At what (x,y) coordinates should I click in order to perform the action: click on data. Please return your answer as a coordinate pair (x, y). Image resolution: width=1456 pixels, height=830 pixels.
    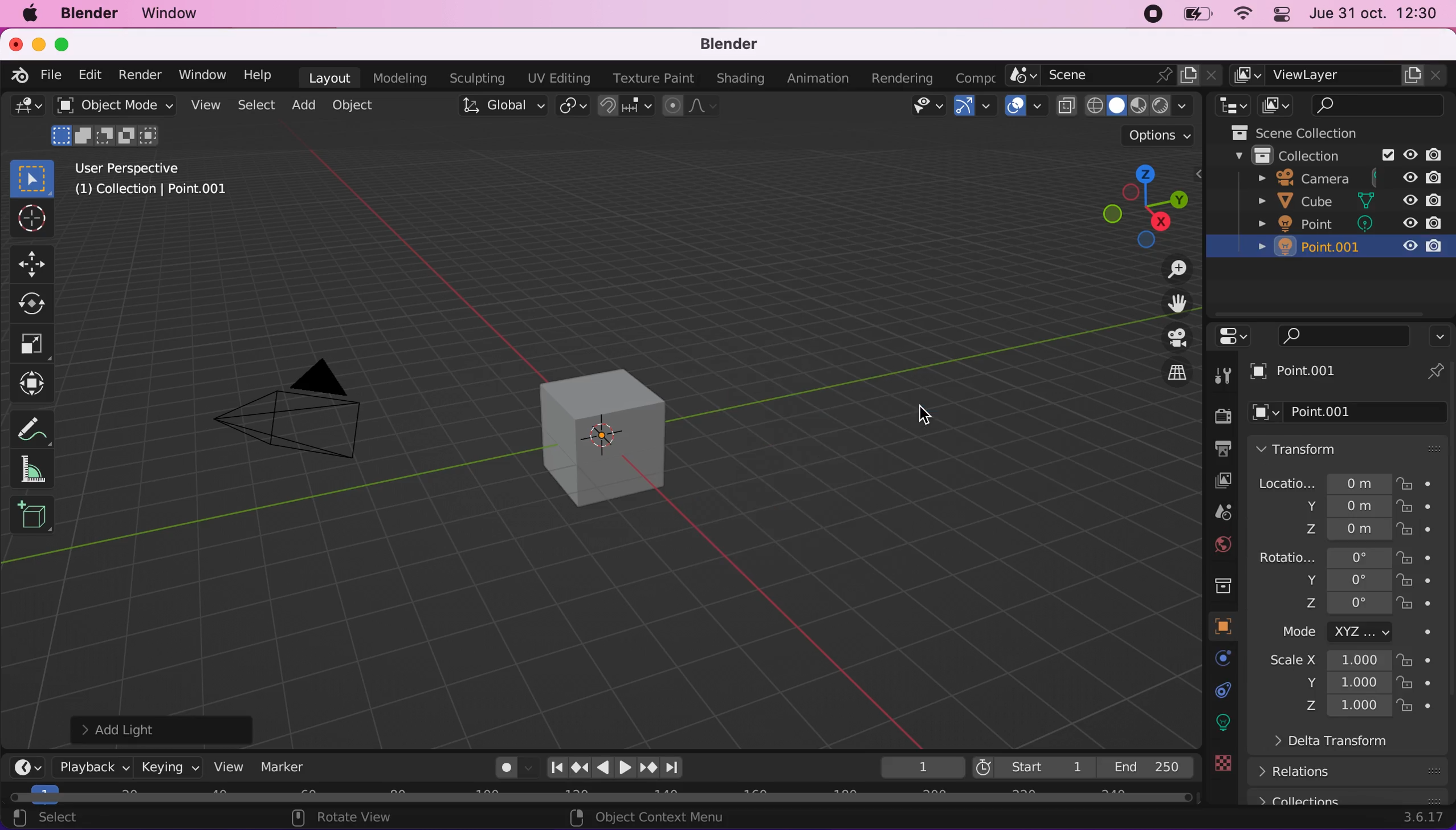
    Looking at the image, I should click on (1224, 689).